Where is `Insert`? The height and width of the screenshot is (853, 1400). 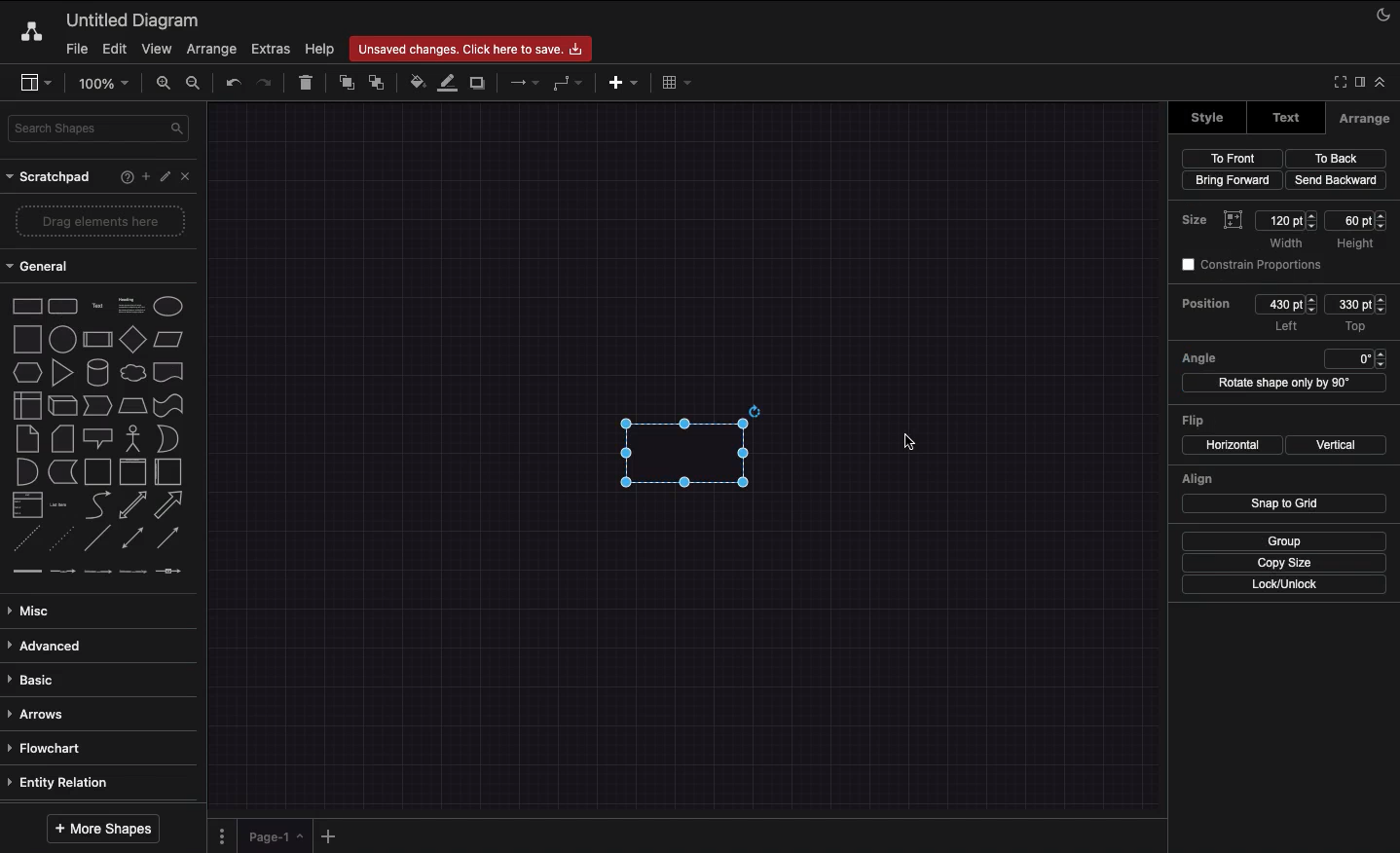 Insert is located at coordinates (622, 83).